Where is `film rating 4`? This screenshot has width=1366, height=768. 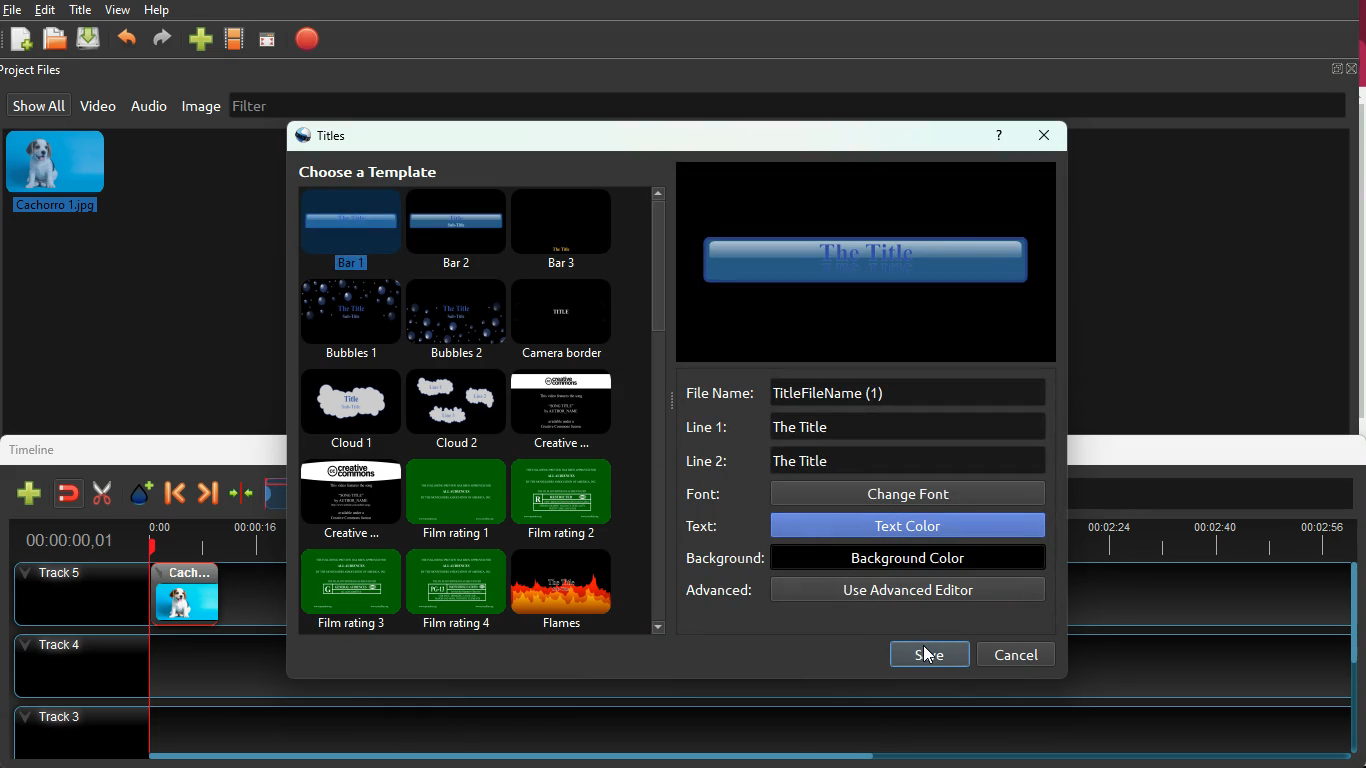
film rating 4 is located at coordinates (452, 590).